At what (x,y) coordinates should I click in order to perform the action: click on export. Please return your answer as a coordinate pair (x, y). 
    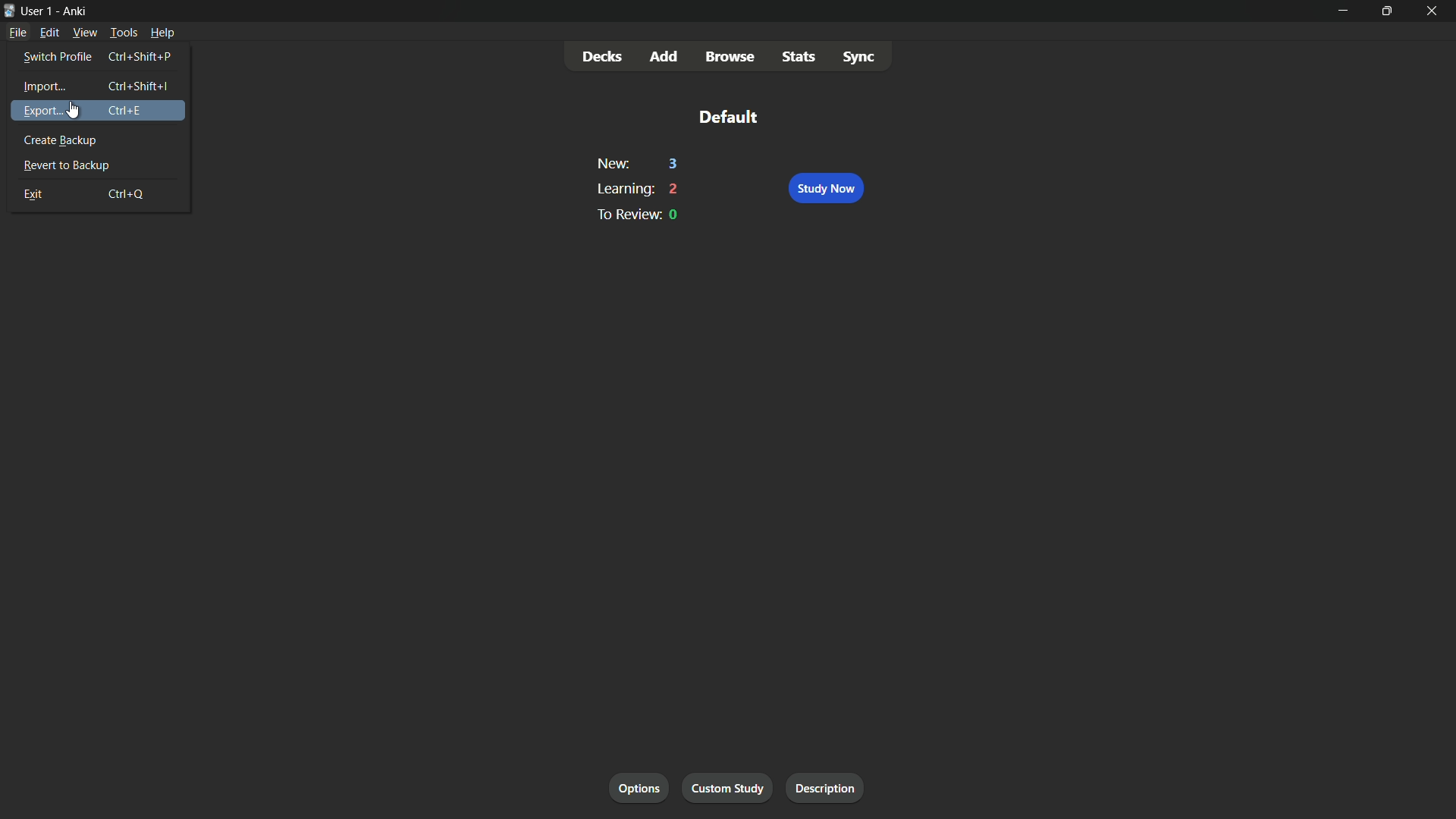
    Looking at the image, I should click on (39, 111).